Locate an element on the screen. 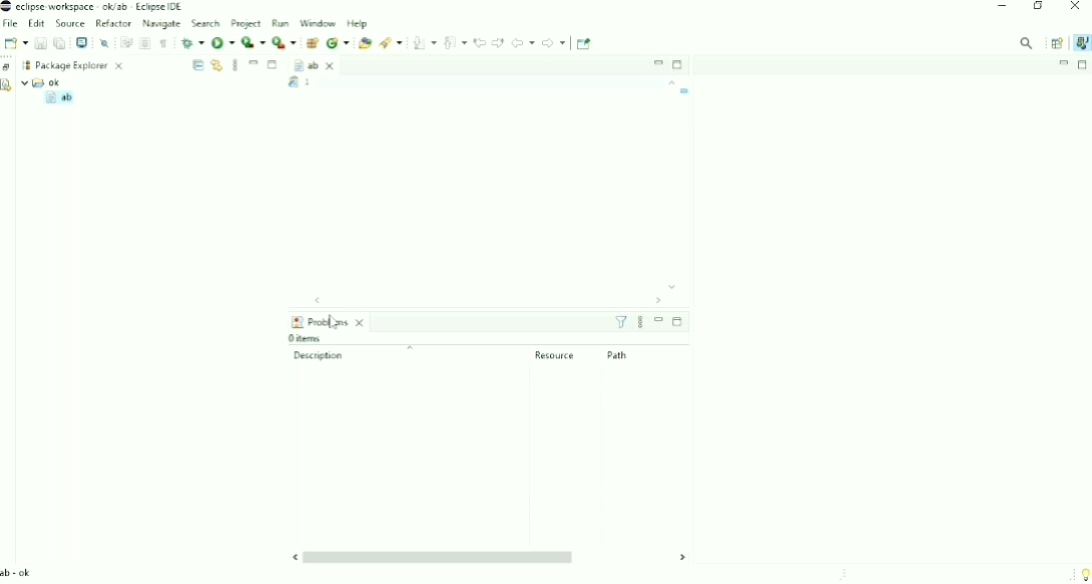 The width and height of the screenshot is (1092, 584). Run is located at coordinates (223, 42).